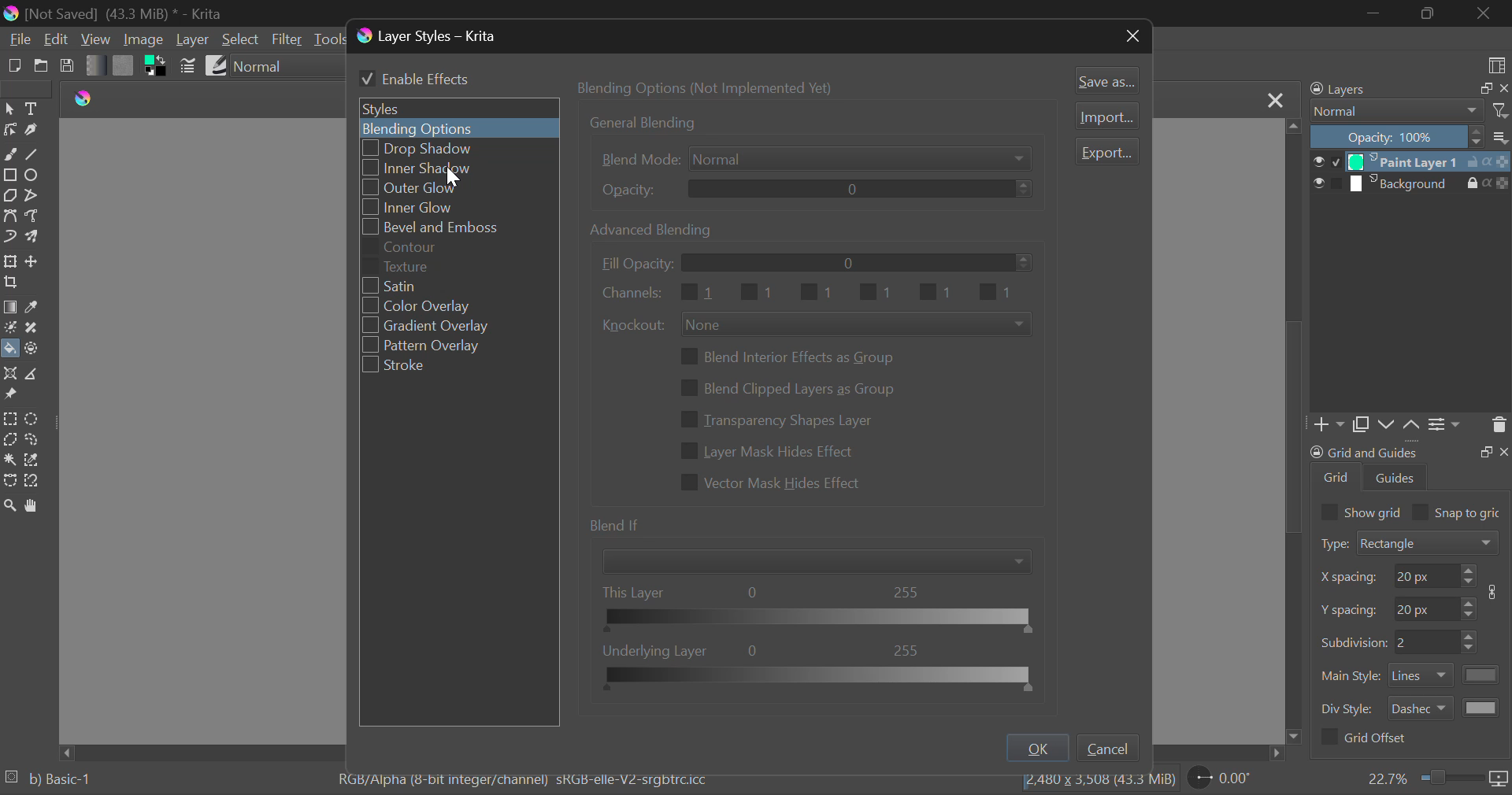 Image resolution: width=1512 pixels, height=795 pixels. Describe the element at coordinates (1360, 511) in the screenshot. I see `Show grid` at that location.